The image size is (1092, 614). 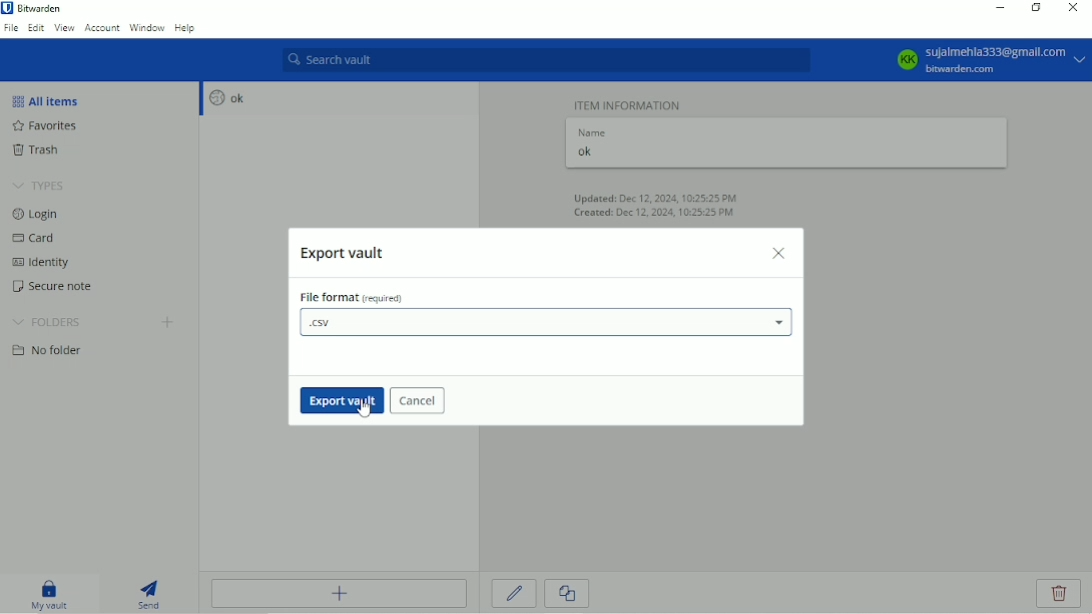 What do you see at coordinates (38, 240) in the screenshot?
I see `Card` at bounding box center [38, 240].